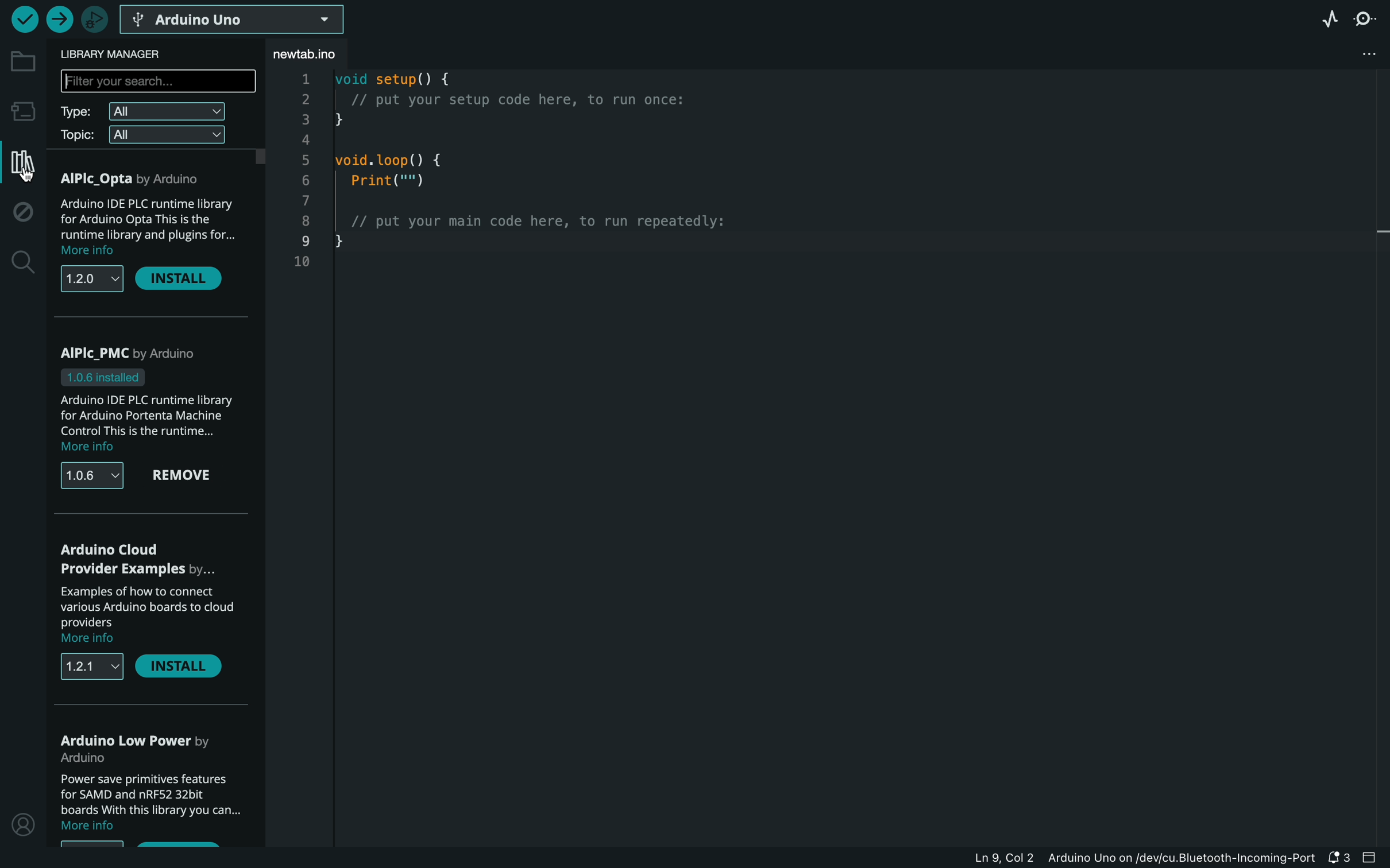 The image size is (1390, 868). Describe the element at coordinates (182, 669) in the screenshot. I see `install` at that location.